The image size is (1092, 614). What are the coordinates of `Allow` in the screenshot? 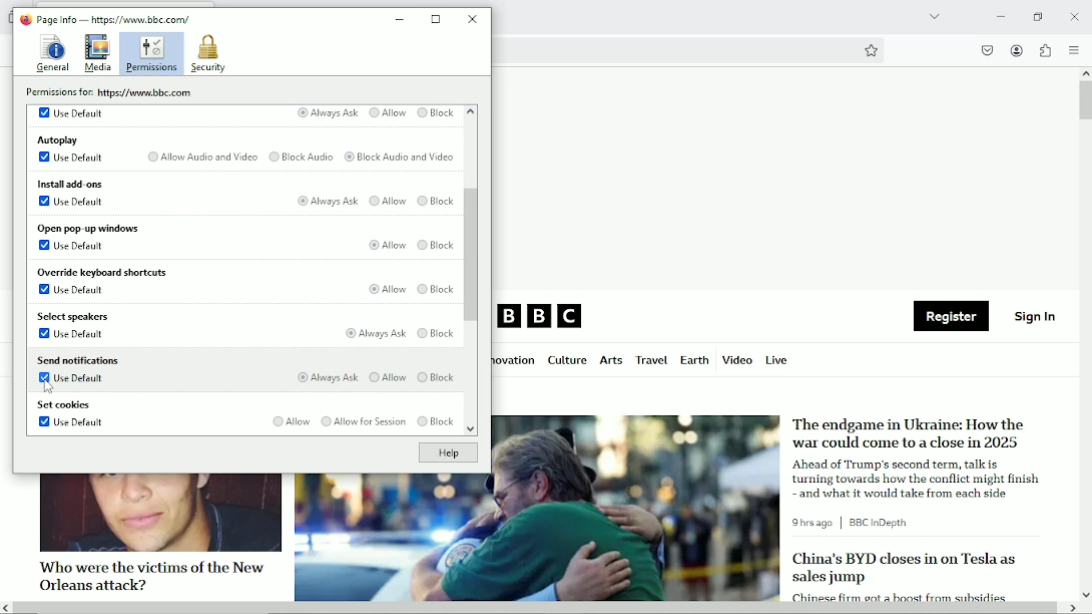 It's located at (387, 202).